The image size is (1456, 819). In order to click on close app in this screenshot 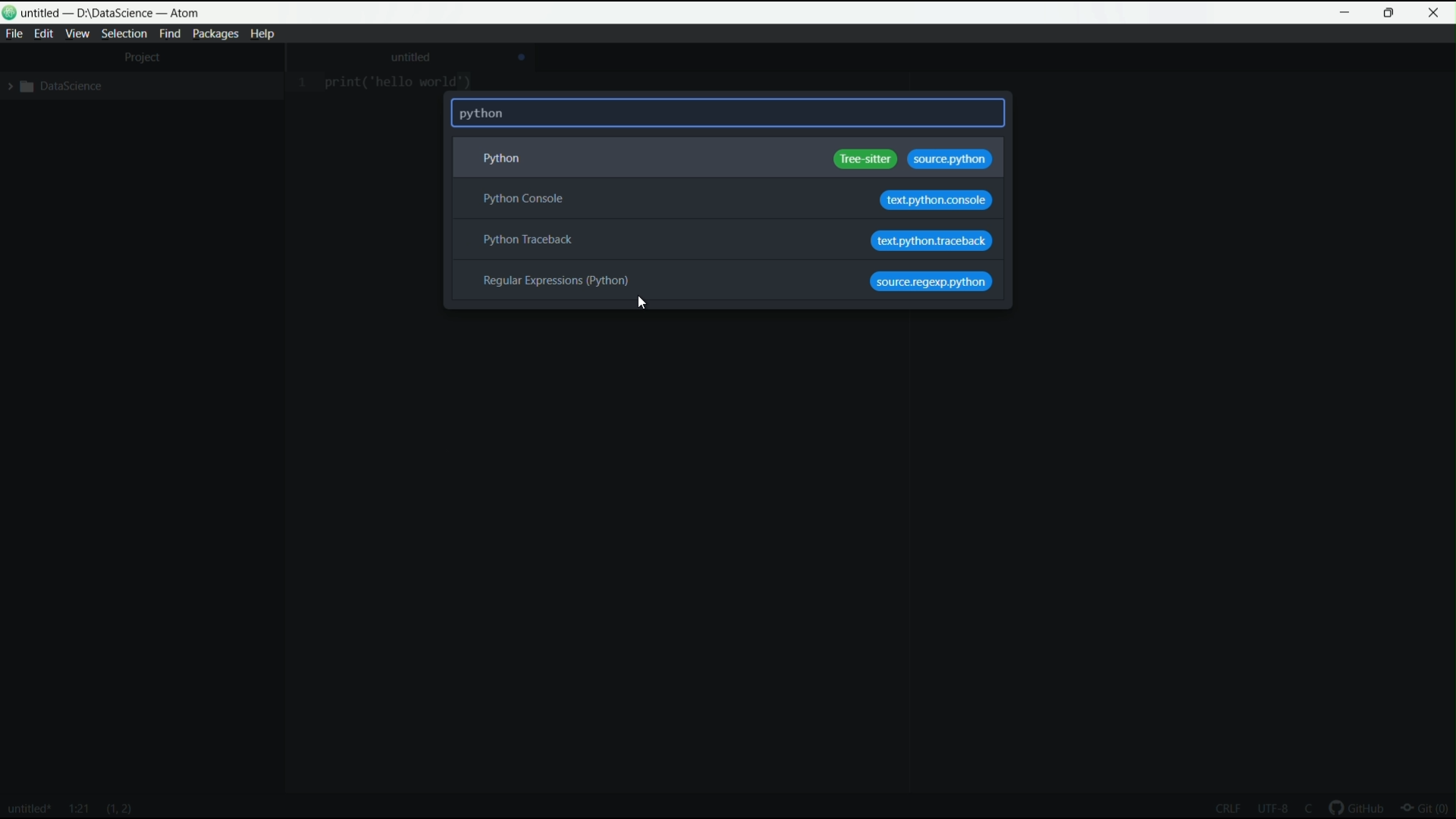, I will do `click(1435, 13)`.